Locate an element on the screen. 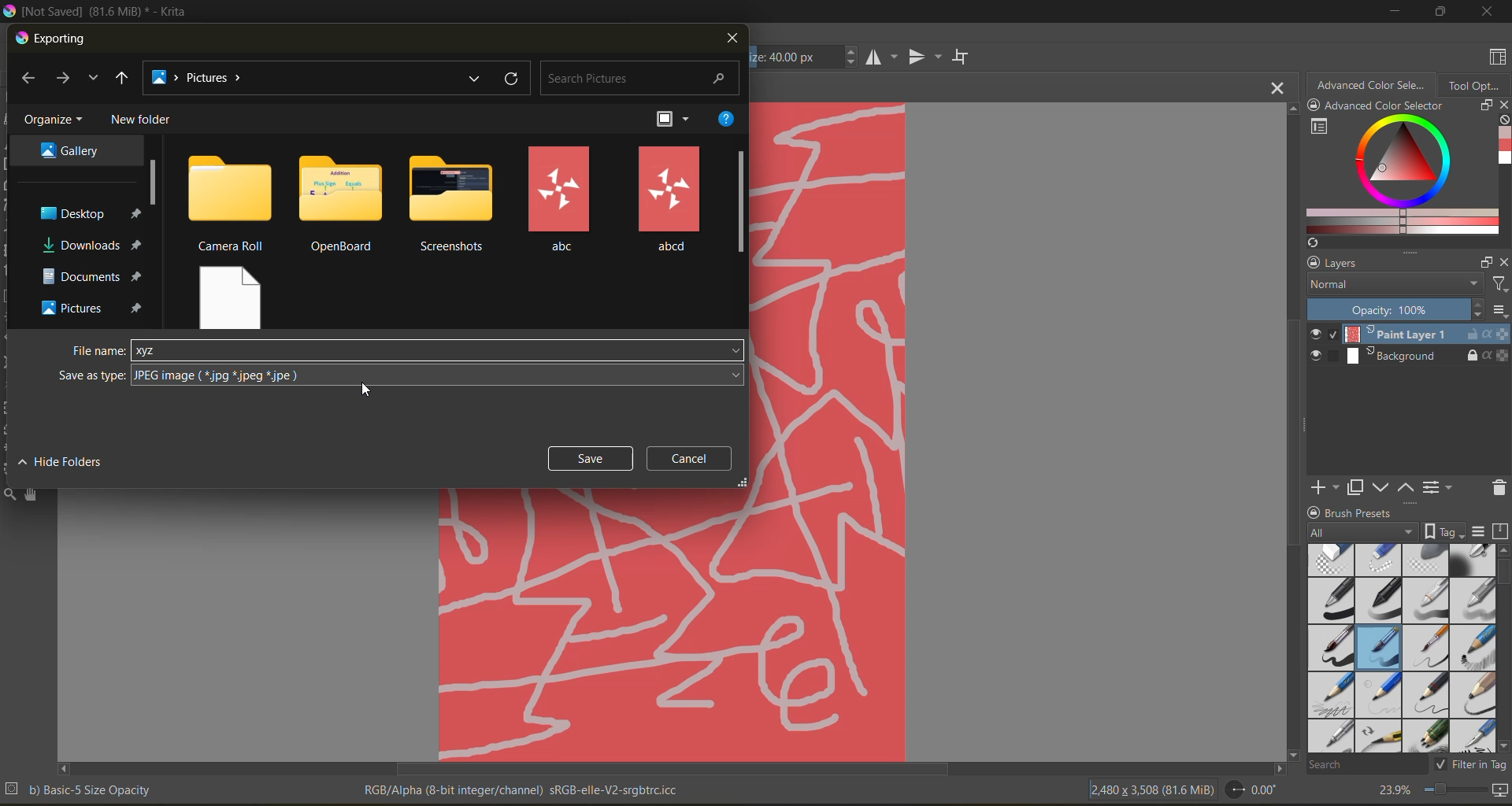  float docker is located at coordinates (1484, 105).